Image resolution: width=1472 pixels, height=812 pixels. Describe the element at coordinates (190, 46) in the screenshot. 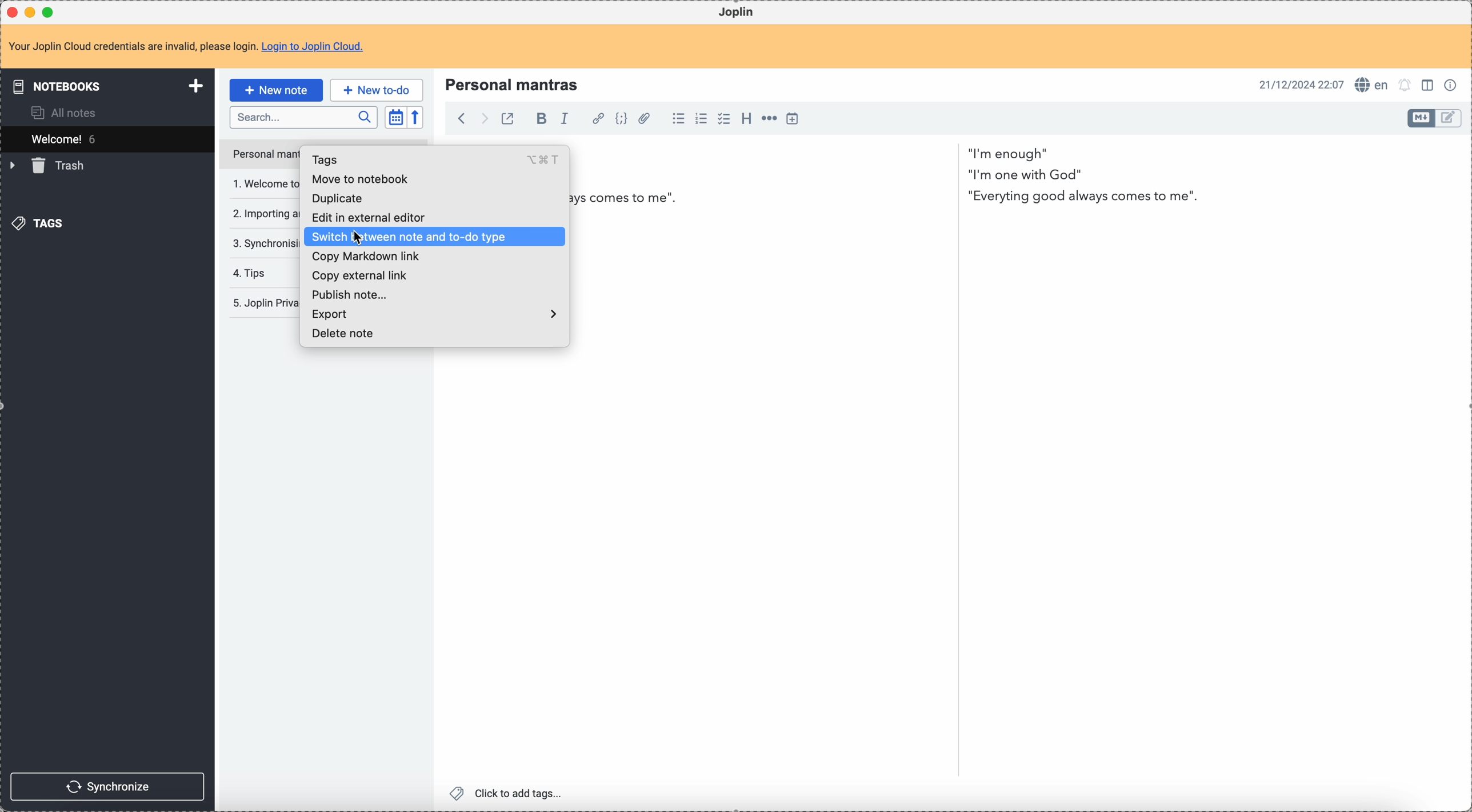

I see `note` at that location.